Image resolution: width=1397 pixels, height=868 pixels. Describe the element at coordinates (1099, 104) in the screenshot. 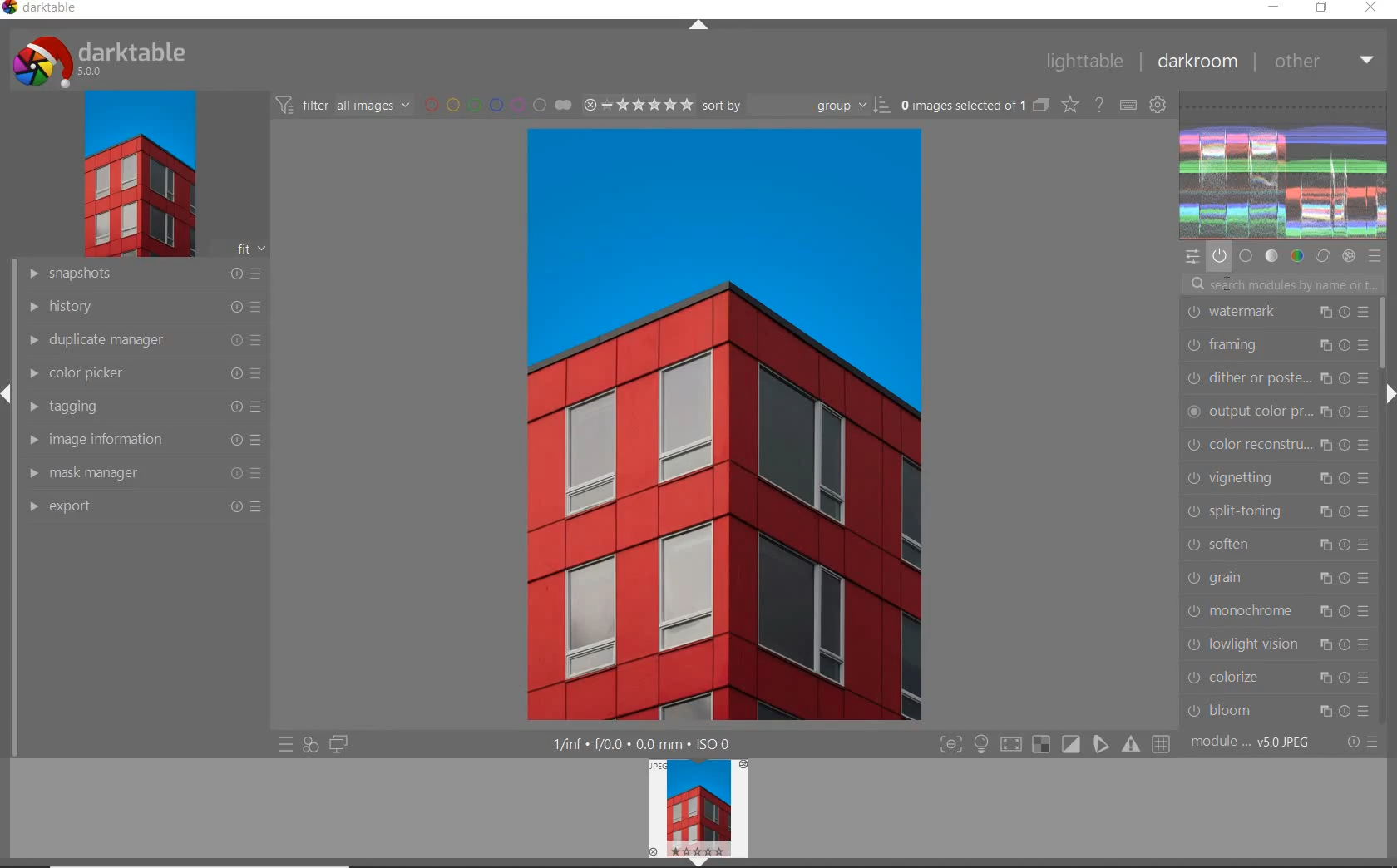

I see `enable for online help` at that location.